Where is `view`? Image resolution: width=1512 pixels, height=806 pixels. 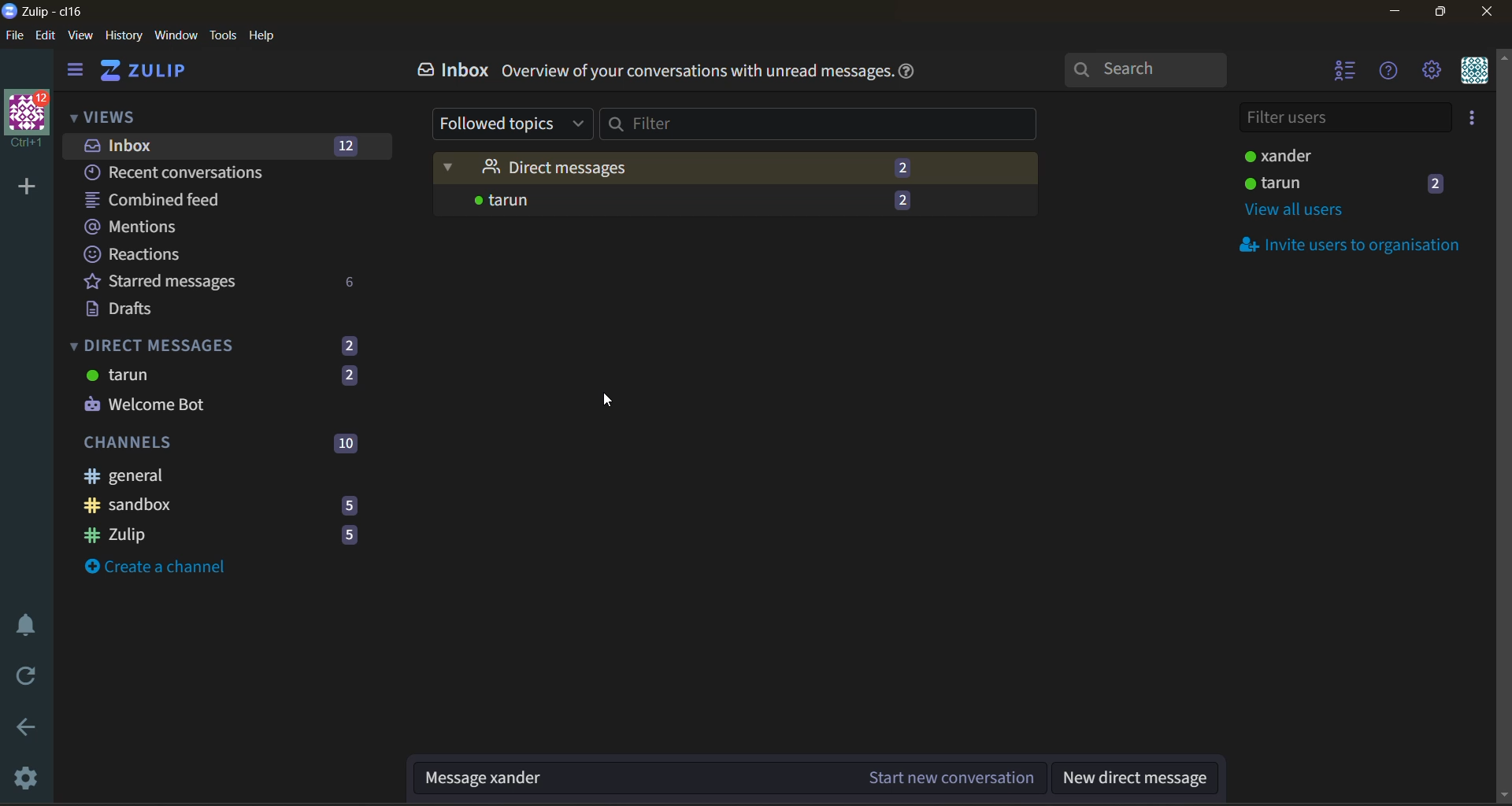
view is located at coordinates (84, 37).